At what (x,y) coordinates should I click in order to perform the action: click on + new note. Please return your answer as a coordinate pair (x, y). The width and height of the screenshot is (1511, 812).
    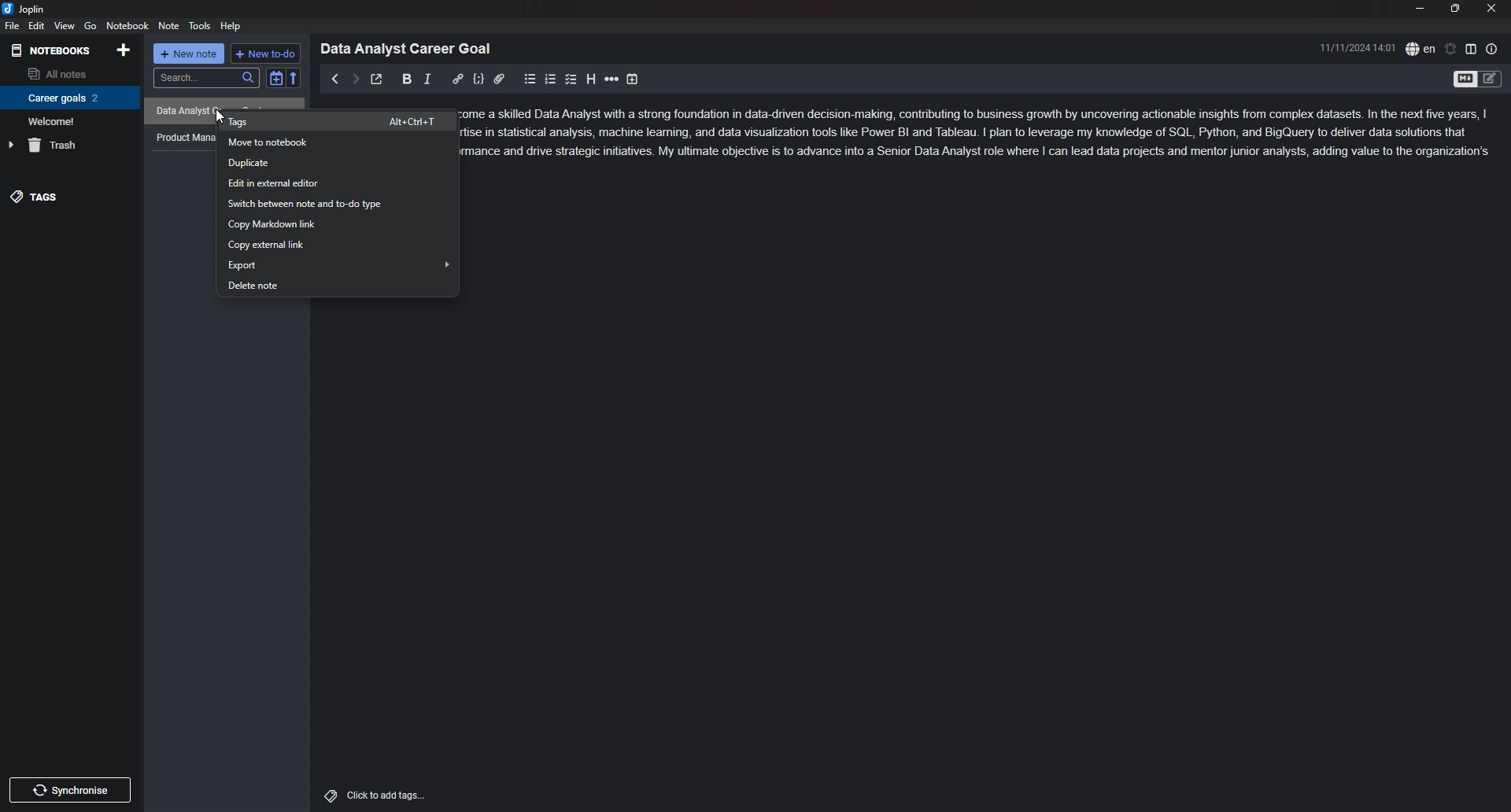
    Looking at the image, I should click on (189, 54).